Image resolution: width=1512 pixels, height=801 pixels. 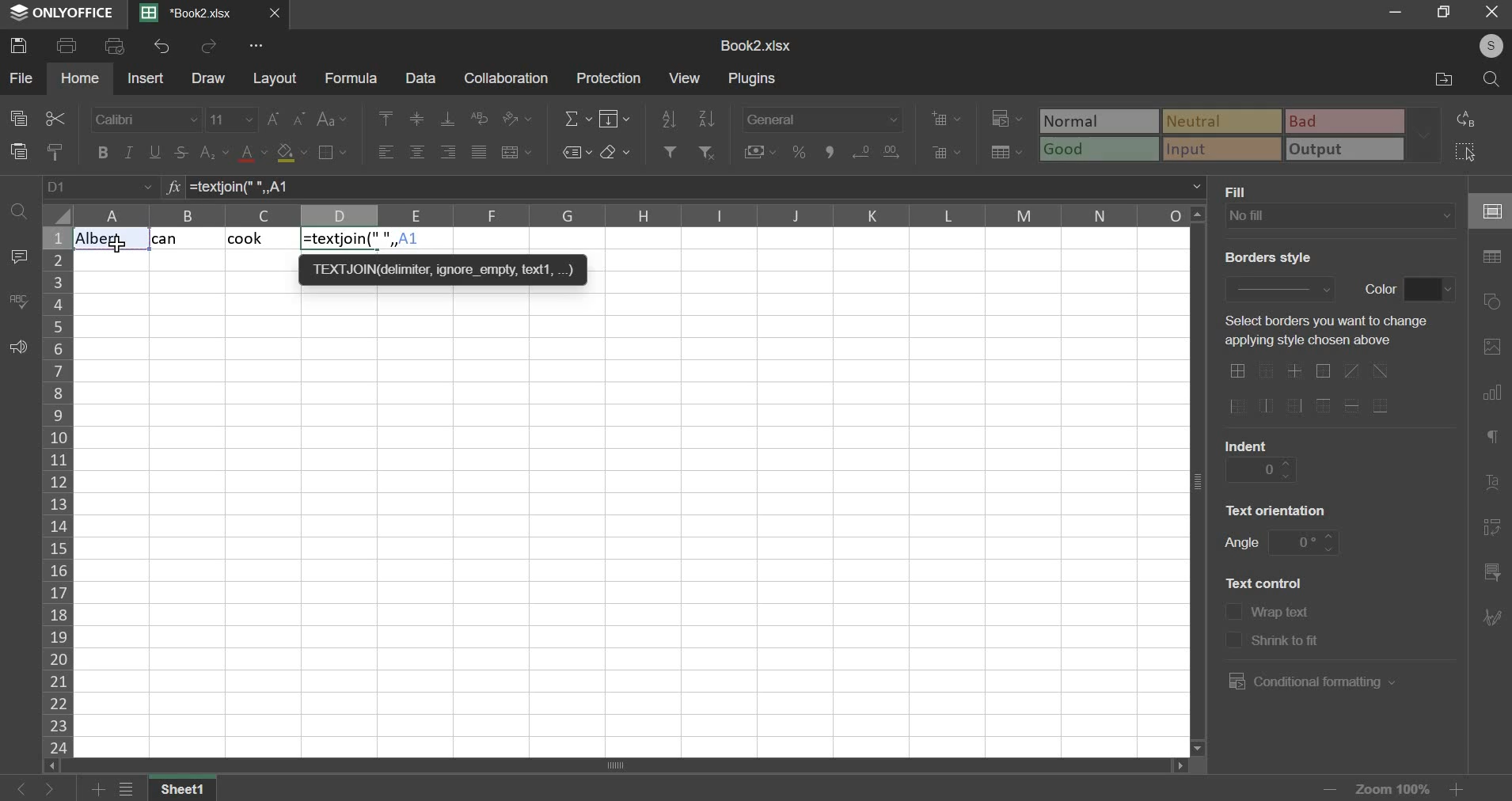 What do you see at coordinates (507, 79) in the screenshot?
I see `collaboration` at bounding box center [507, 79].